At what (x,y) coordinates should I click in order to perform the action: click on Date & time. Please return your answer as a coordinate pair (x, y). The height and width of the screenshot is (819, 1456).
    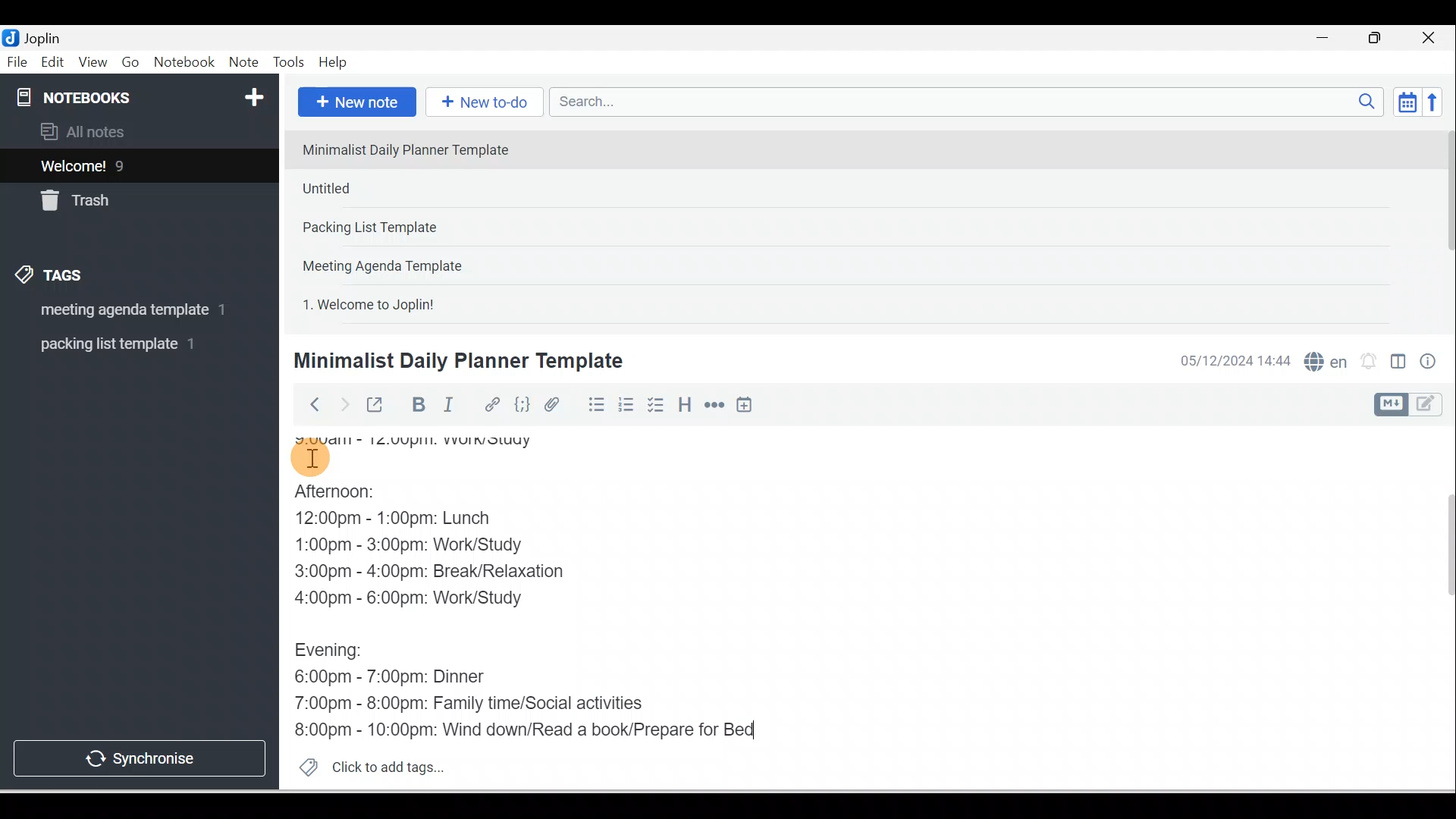
    Looking at the image, I should click on (1232, 361).